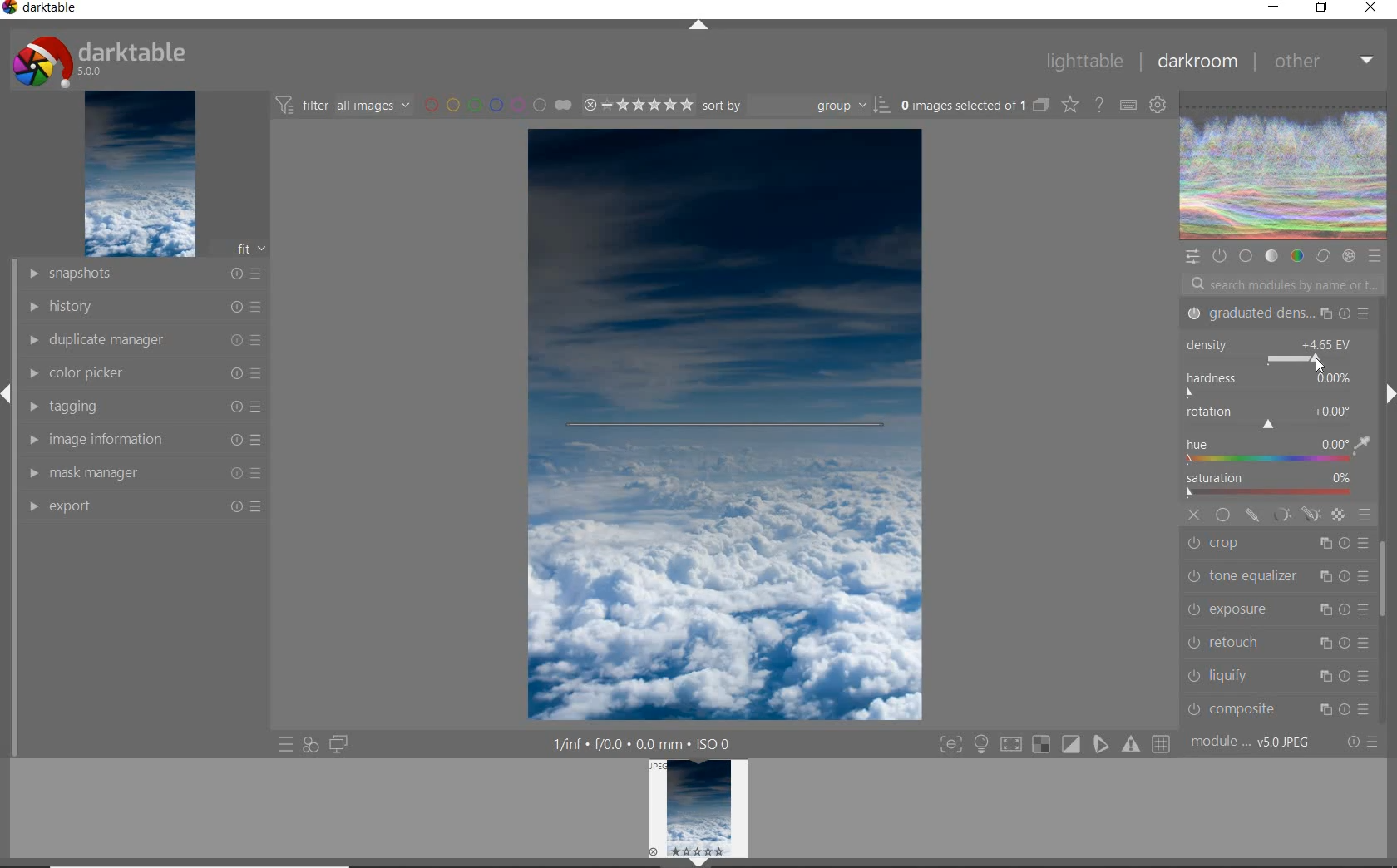  Describe the element at coordinates (1276, 486) in the screenshot. I see `SATURATION` at that location.